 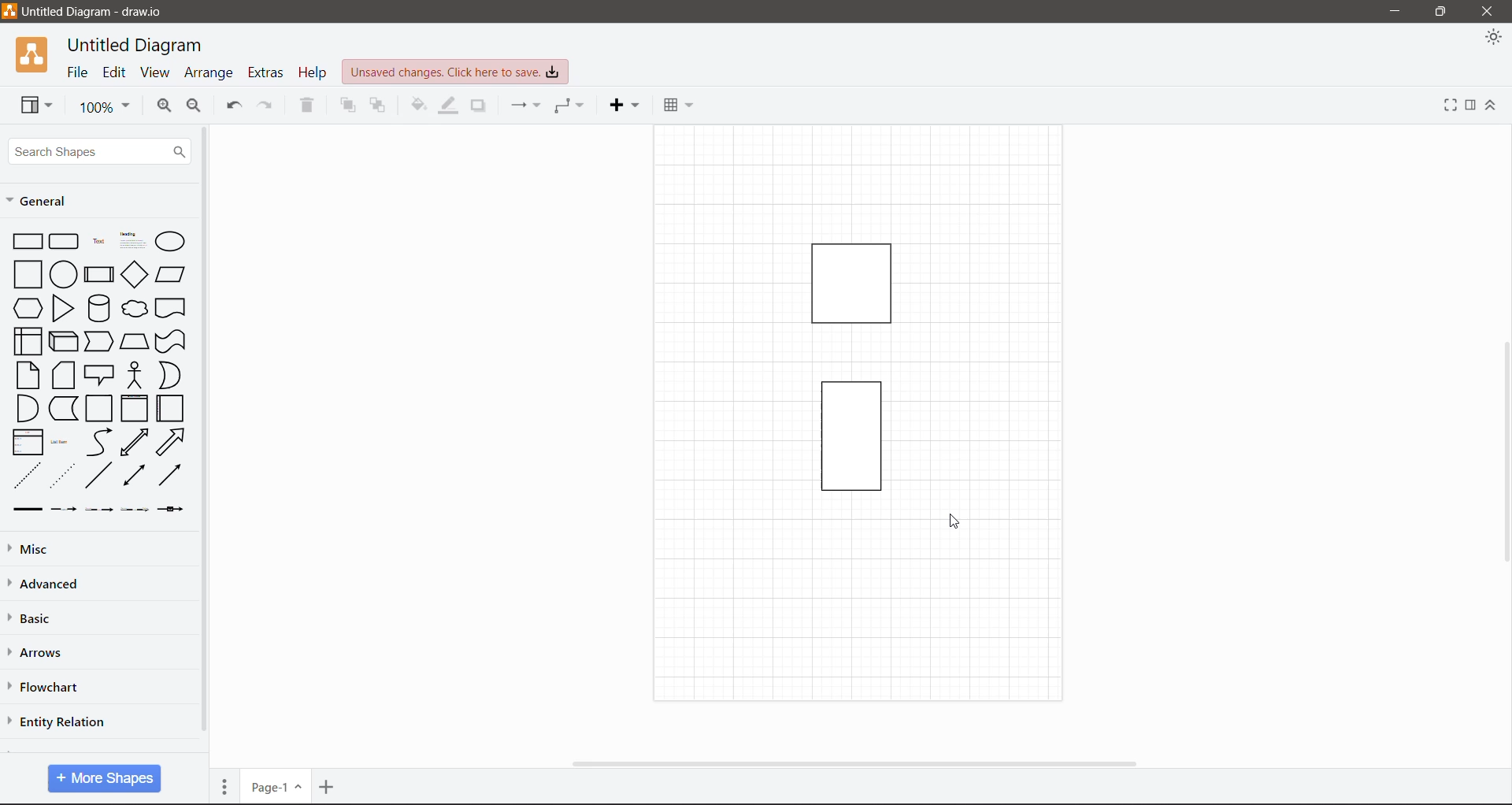 What do you see at coordinates (455, 73) in the screenshot?
I see `Unsaved Changes. Click here to save` at bounding box center [455, 73].